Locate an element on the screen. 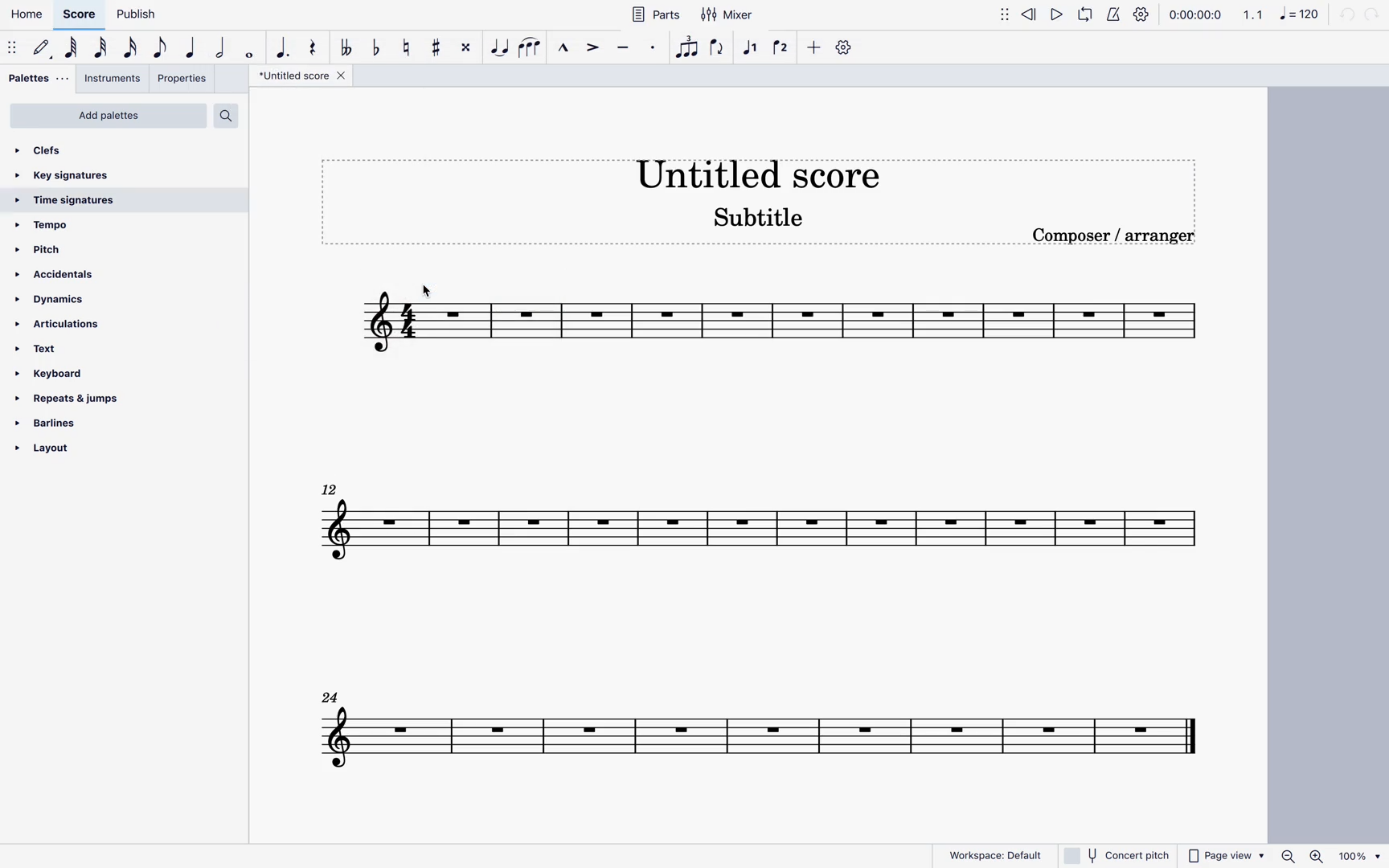  slur is located at coordinates (528, 51).